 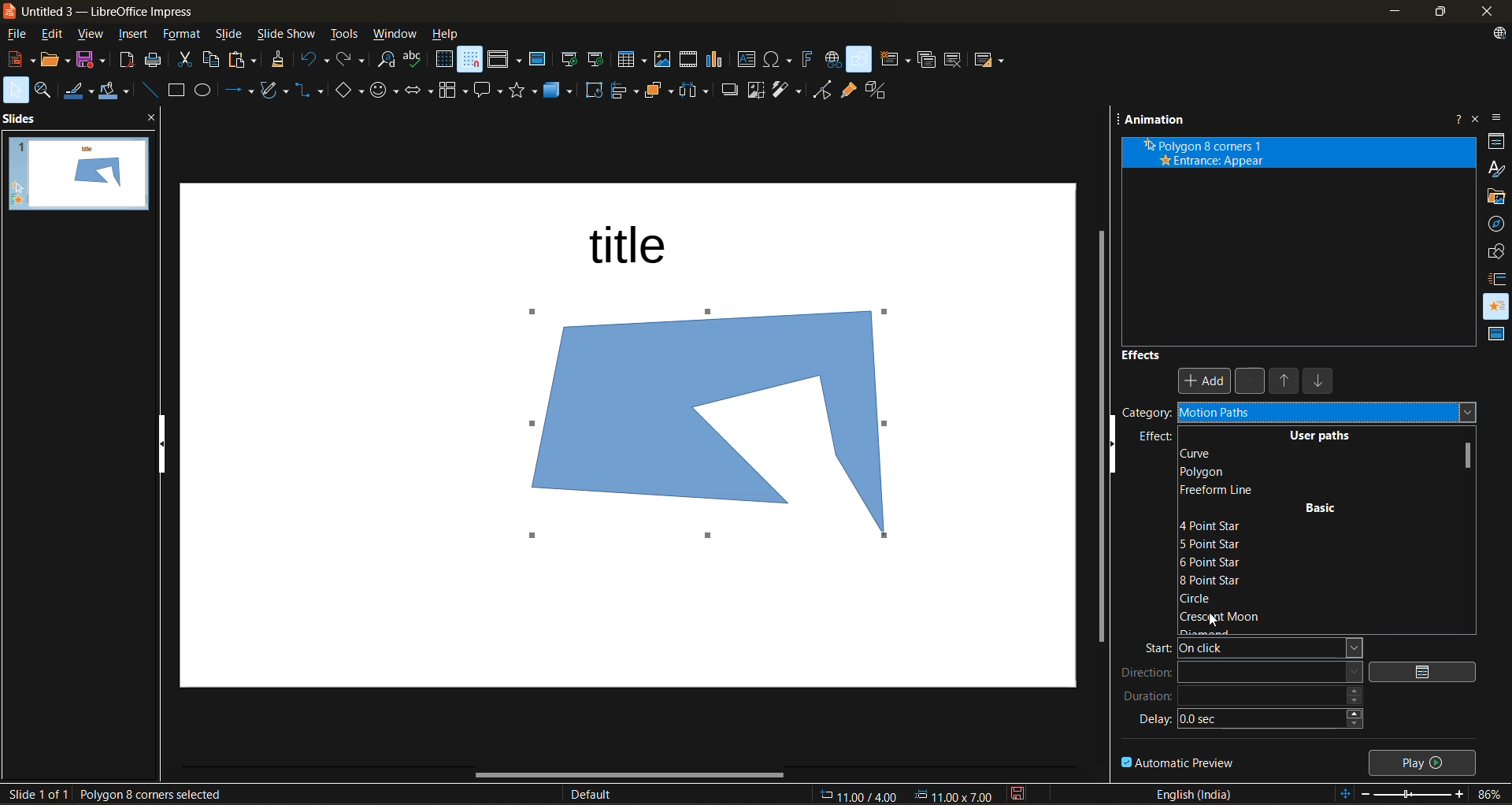 I want to click on snap to grid, so click(x=469, y=61).